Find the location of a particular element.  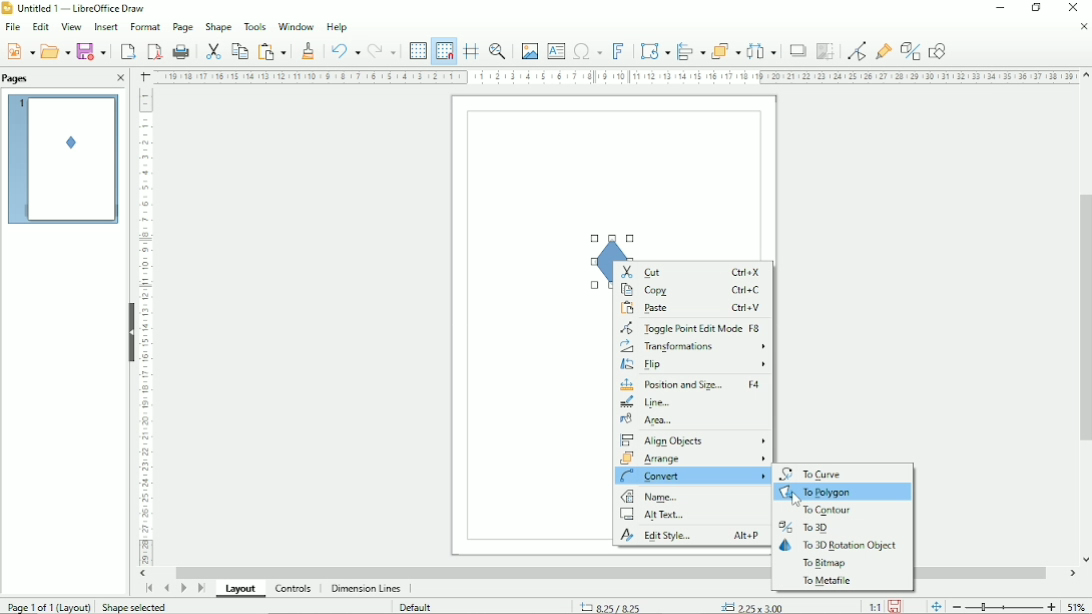

Layout is located at coordinates (239, 589).